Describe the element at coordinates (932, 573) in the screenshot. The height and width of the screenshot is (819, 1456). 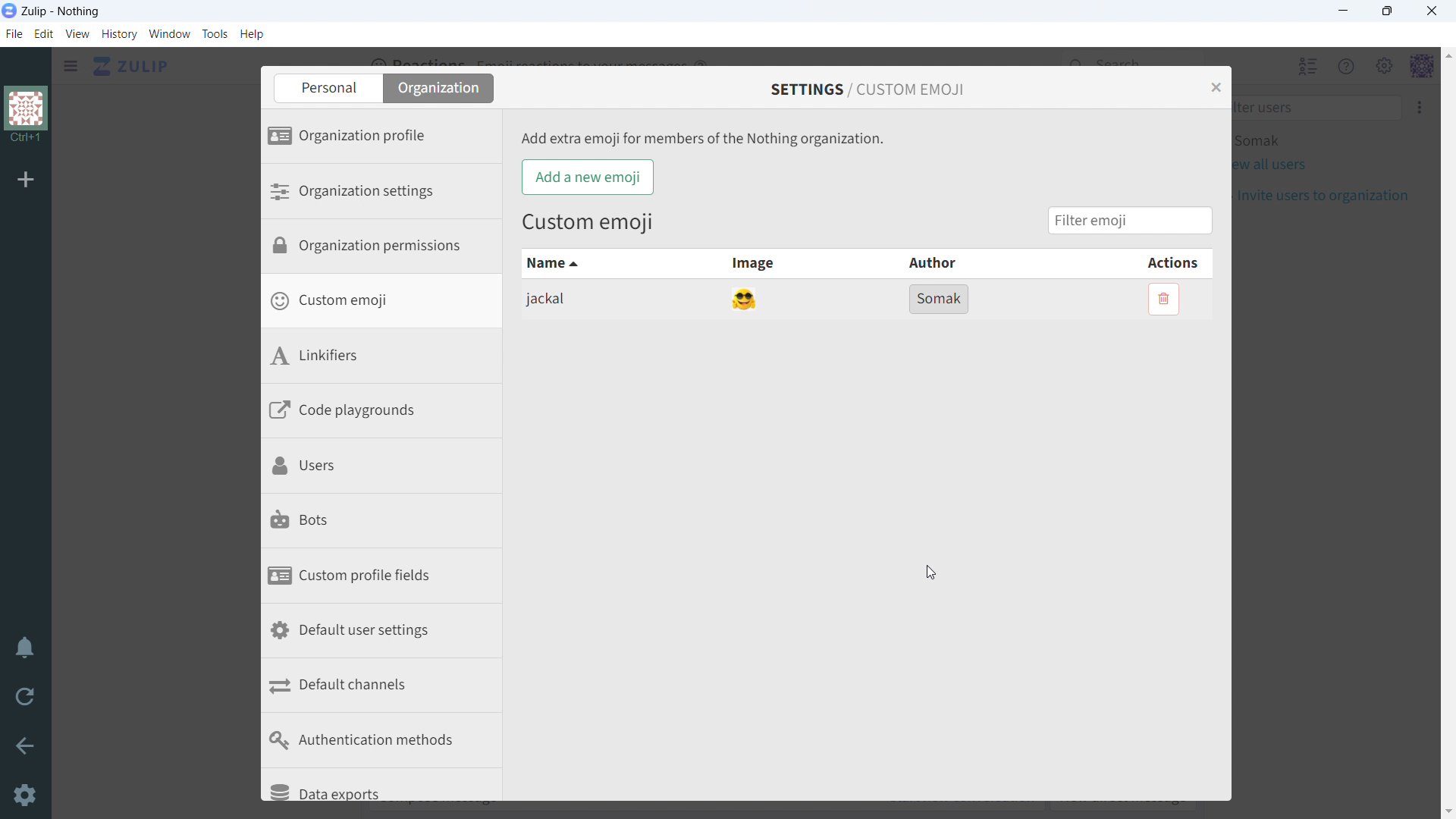
I see `cursor` at that location.